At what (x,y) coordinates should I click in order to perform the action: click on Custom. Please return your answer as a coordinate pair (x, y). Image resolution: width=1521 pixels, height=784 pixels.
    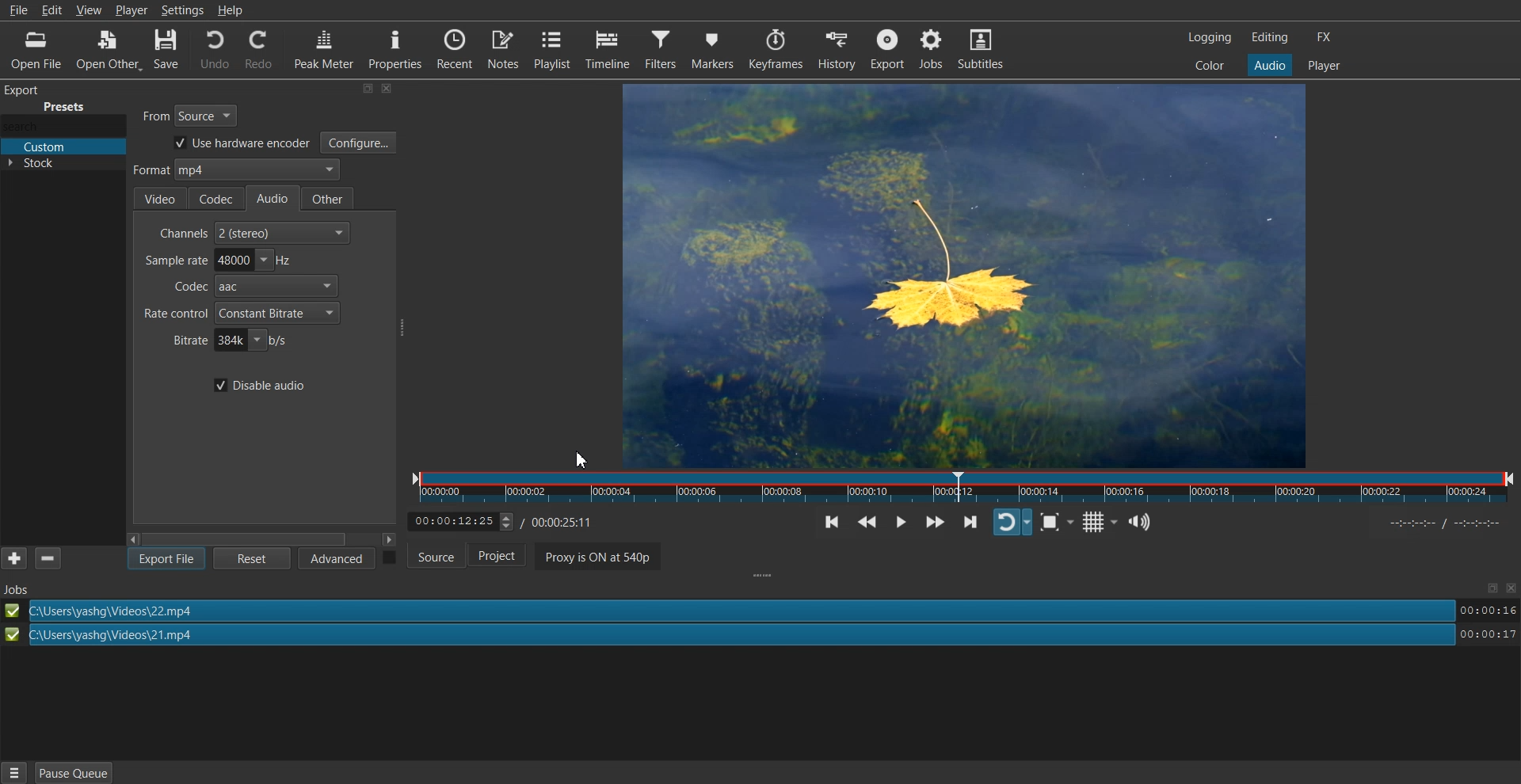
    Looking at the image, I should click on (40, 143).